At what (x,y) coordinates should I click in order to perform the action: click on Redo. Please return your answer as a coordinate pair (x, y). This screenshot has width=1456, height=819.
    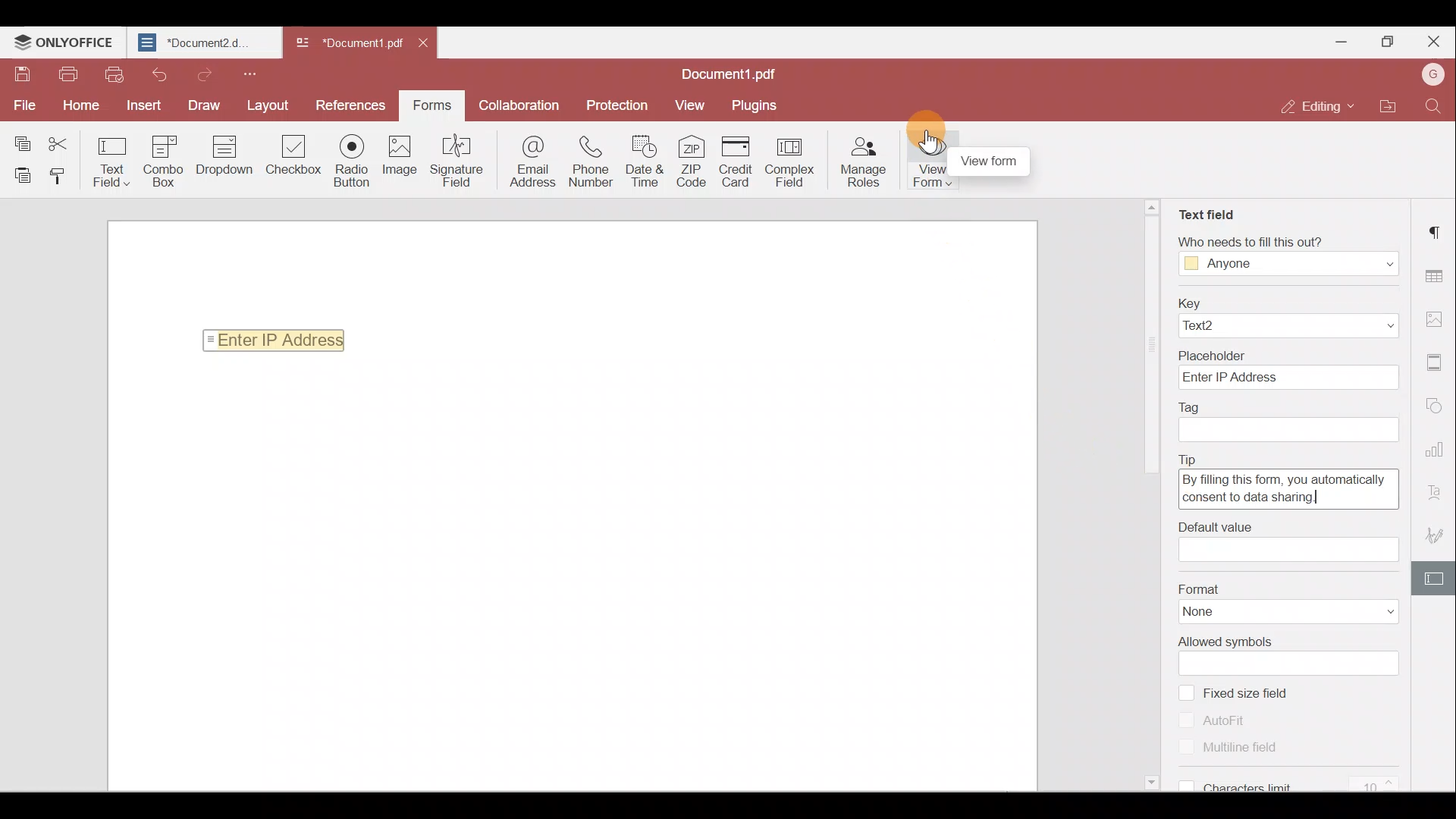
    Looking at the image, I should click on (204, 74).